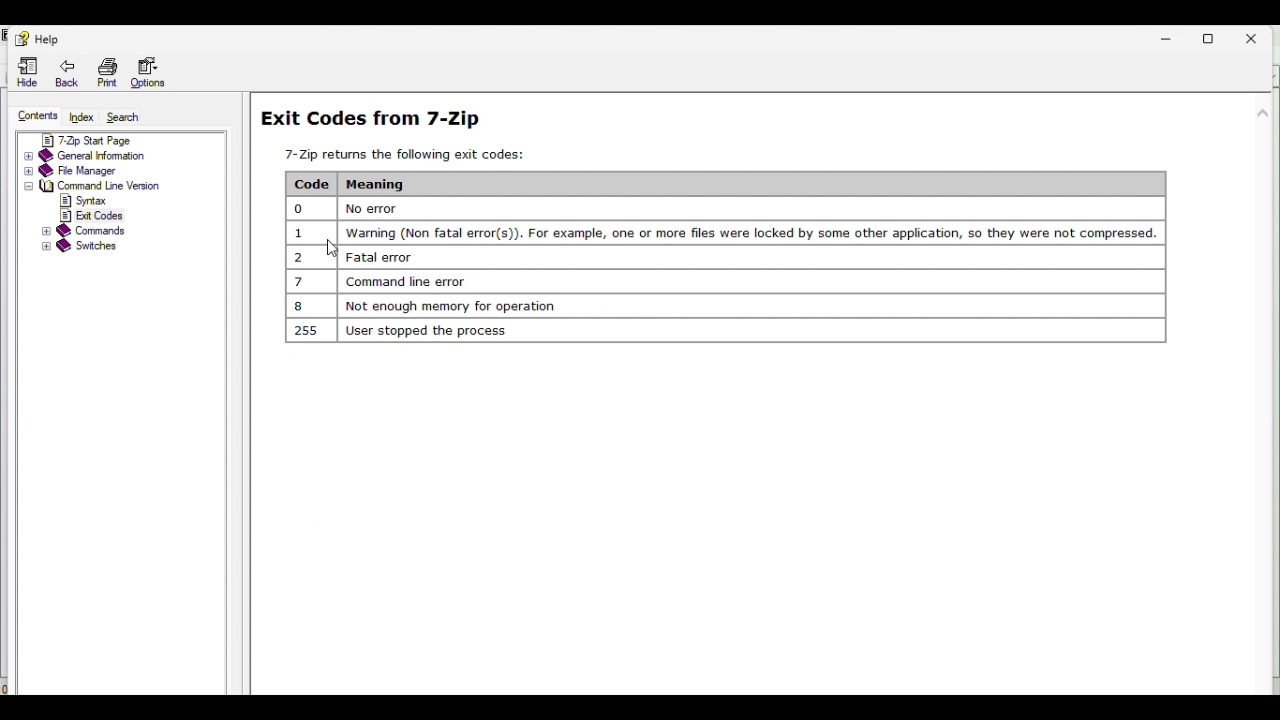  I want to click on File manager, so click(118, 171).